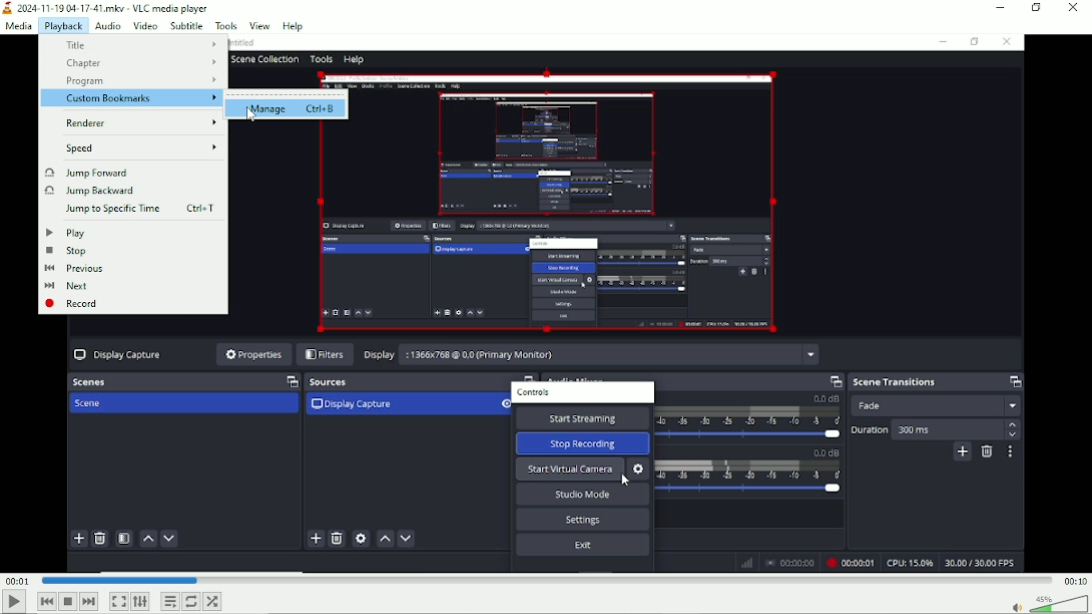  What do you see at coordinates (142, 63) in the screenshot?
I see `Chapter` at bounding box center [142, 63].